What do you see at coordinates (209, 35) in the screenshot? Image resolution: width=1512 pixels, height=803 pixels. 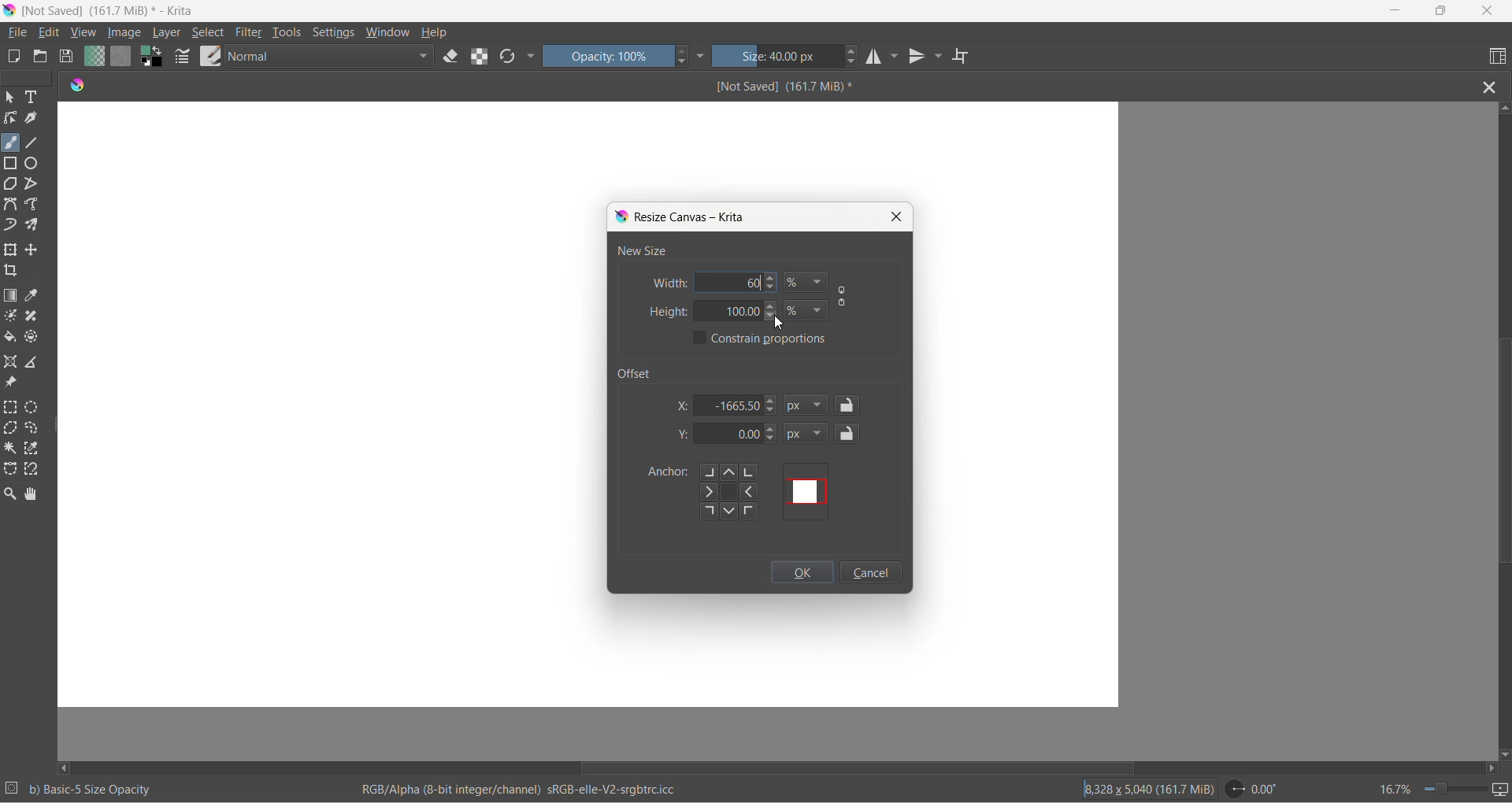 I see `select` at bounding box center [209, 35].